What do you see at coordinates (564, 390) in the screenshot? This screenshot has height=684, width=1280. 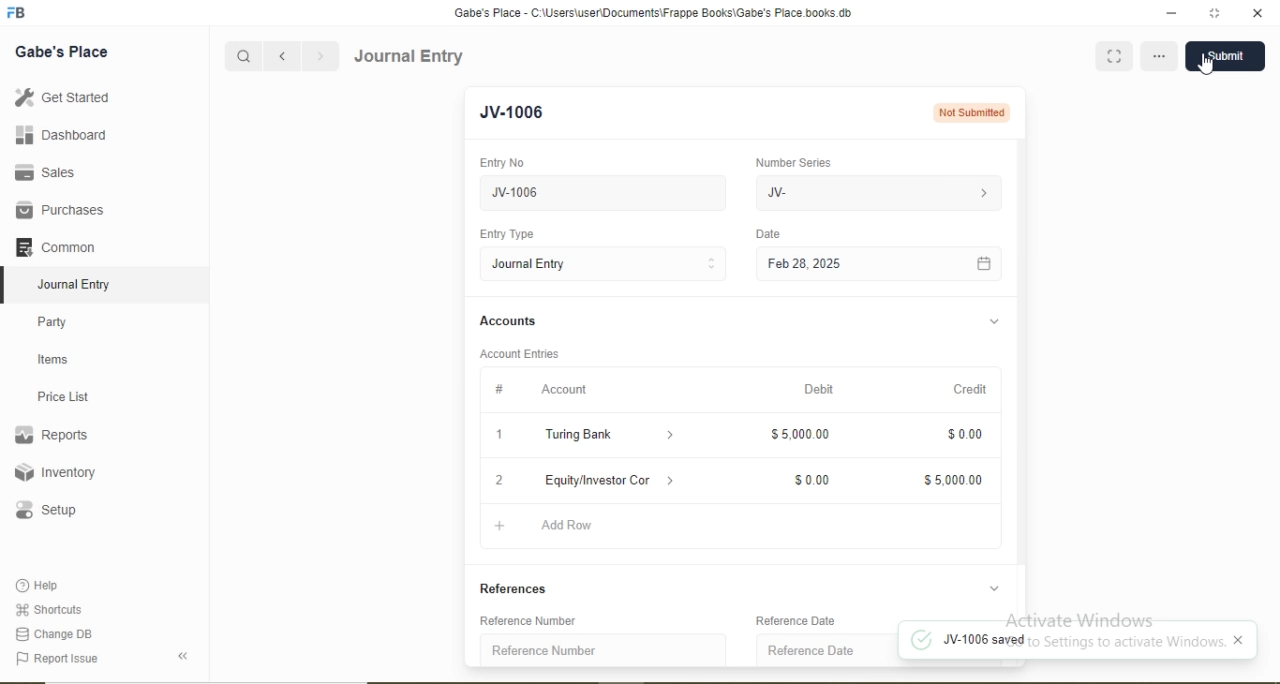 I see `Account` at bounding box center [564, 390].